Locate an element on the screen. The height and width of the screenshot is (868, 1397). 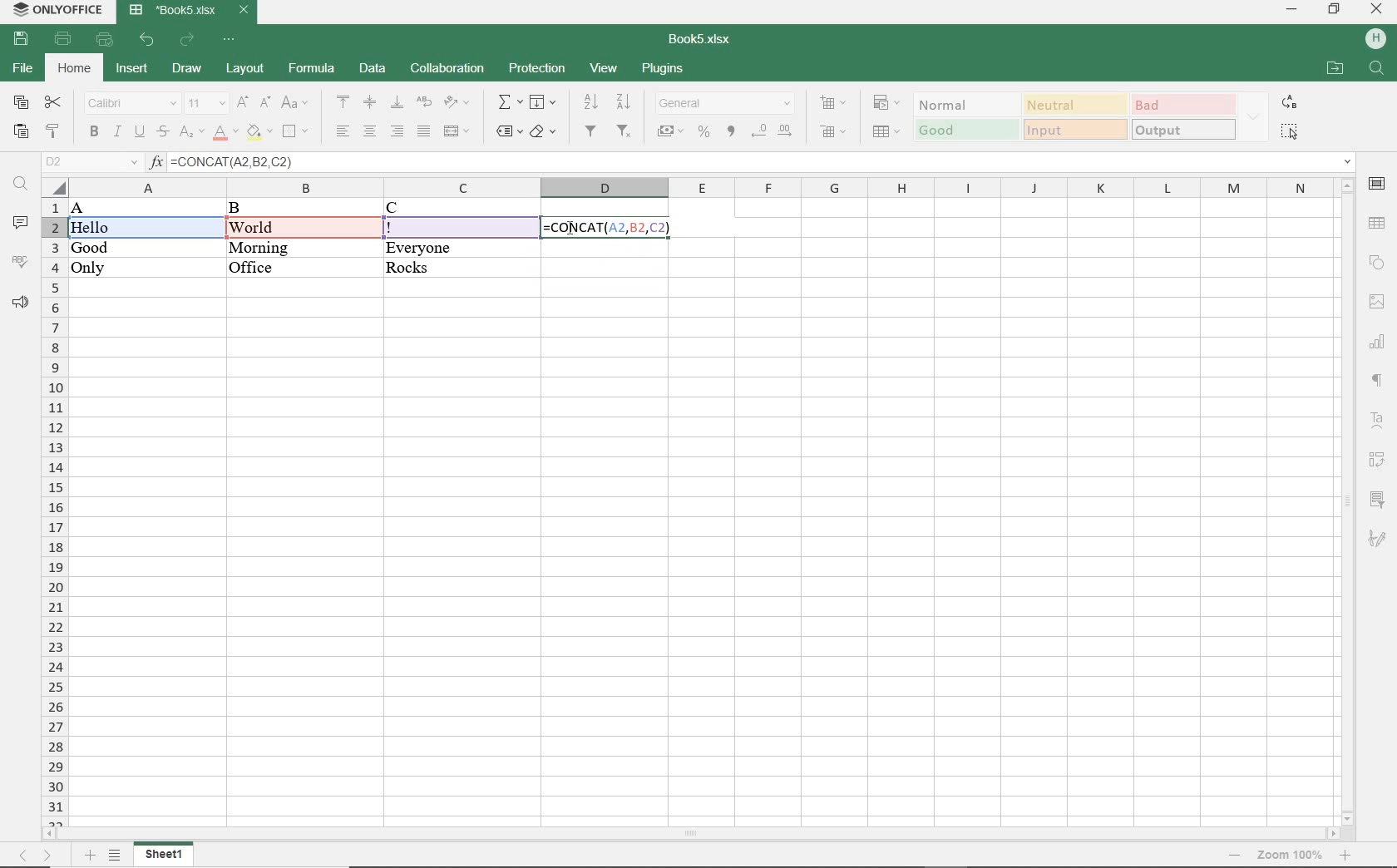
BOLD is located at coordinates (94, 134).